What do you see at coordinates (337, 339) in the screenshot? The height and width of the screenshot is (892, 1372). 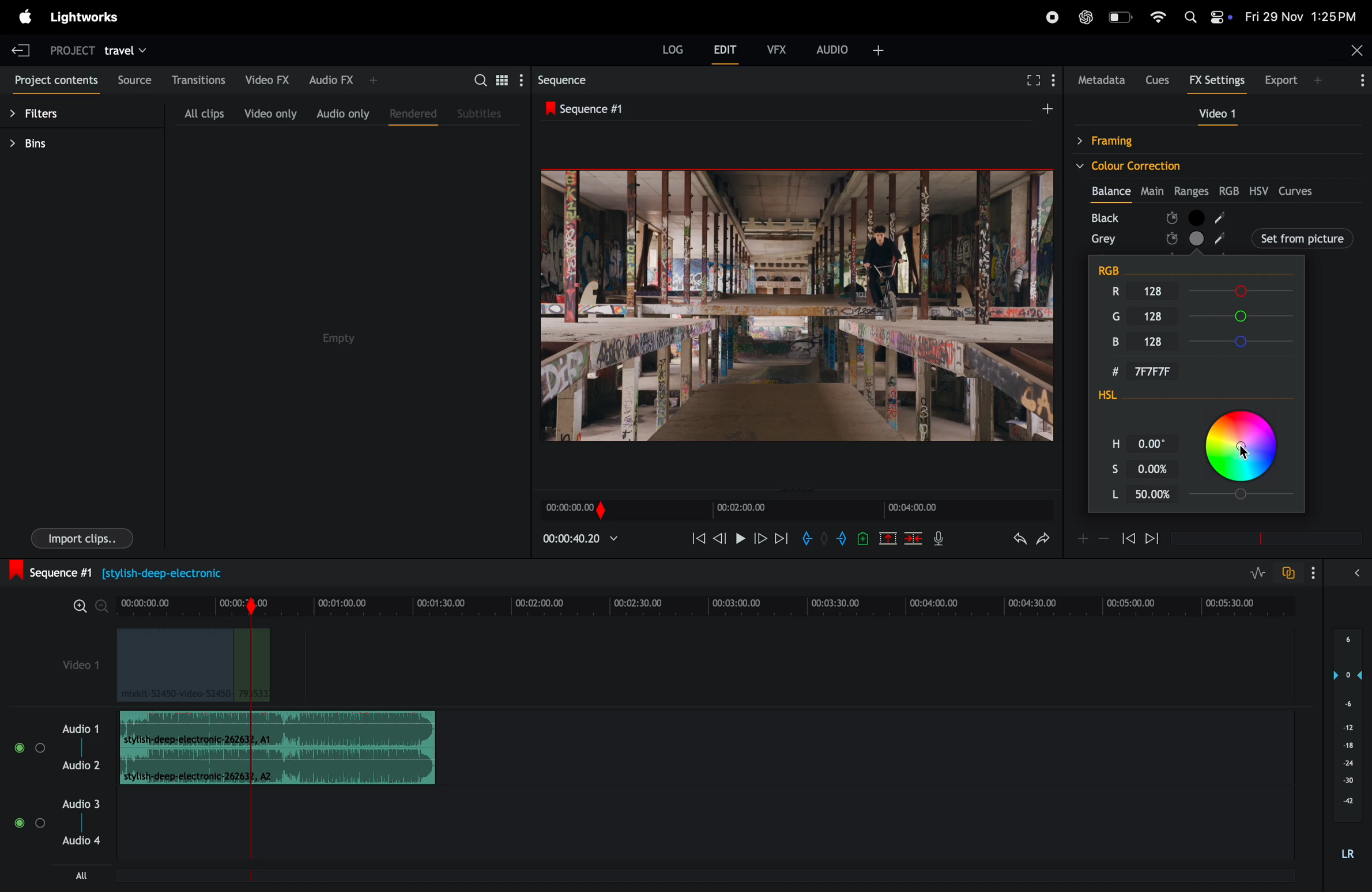 I see `empty` at bounding box center [337, 339].